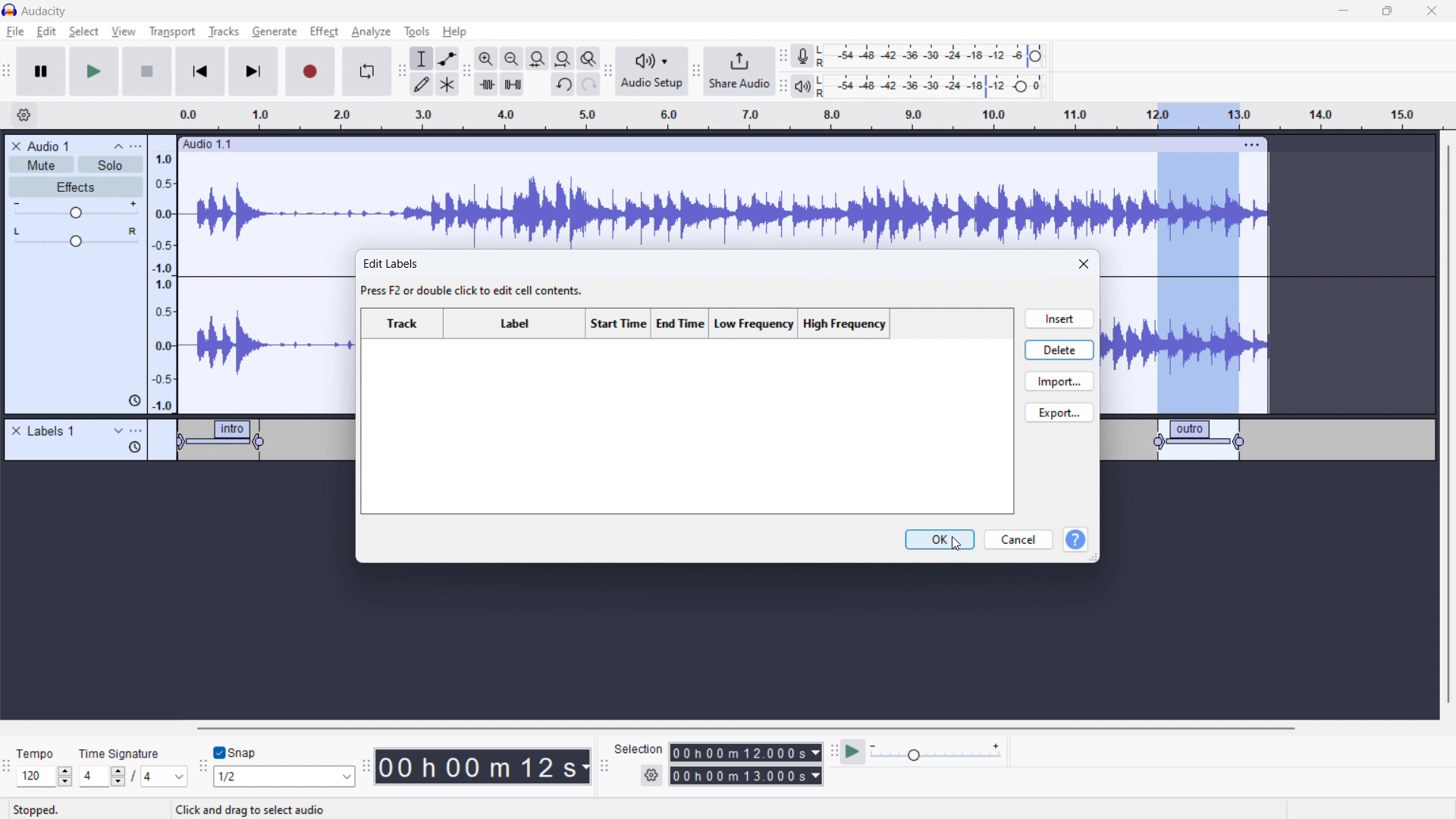 The height and width of the screenshot is (819, 1456). I want to click on track, so click(403, 323).